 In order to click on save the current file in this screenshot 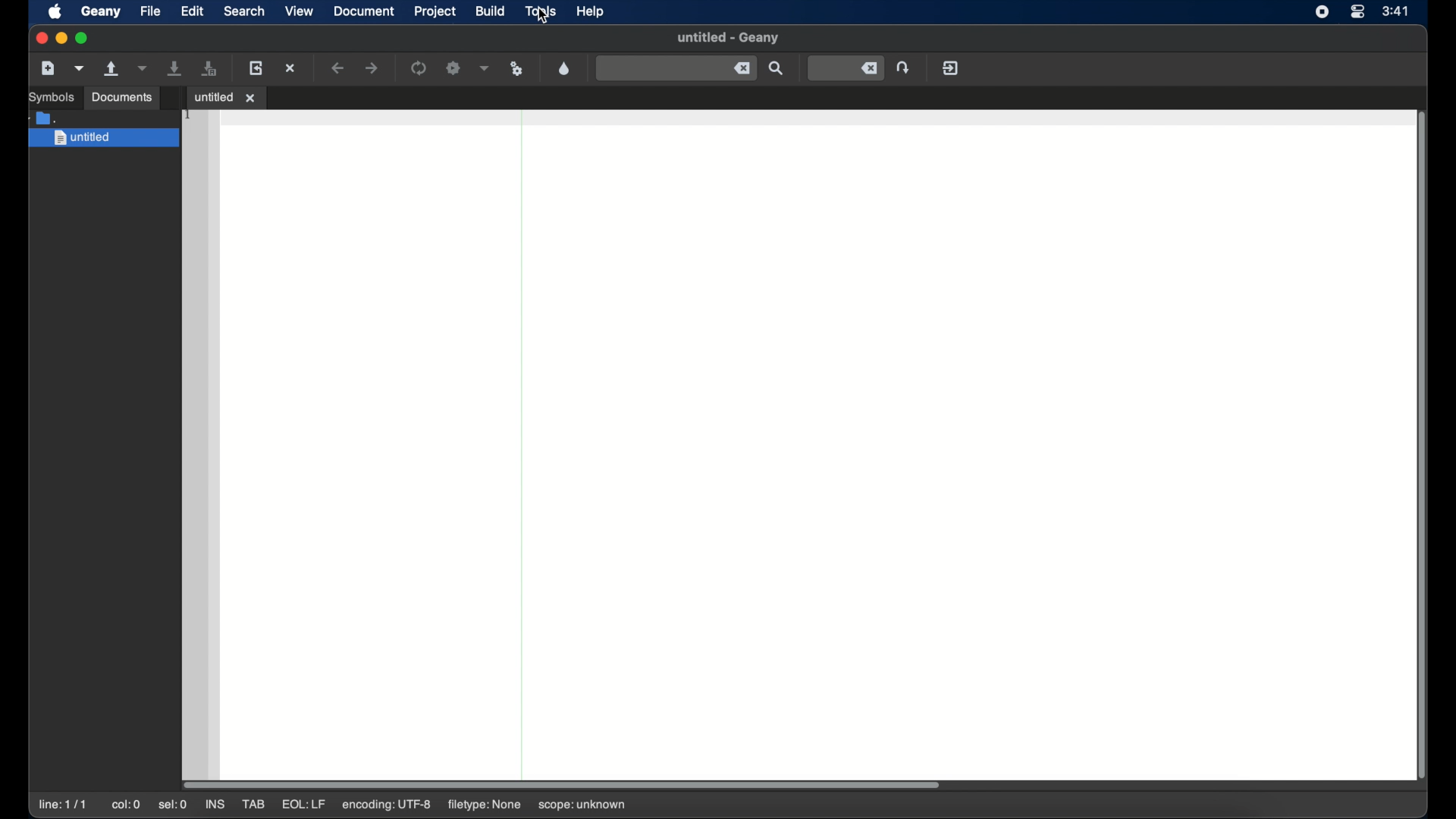, I will do `click(176, 69)`.